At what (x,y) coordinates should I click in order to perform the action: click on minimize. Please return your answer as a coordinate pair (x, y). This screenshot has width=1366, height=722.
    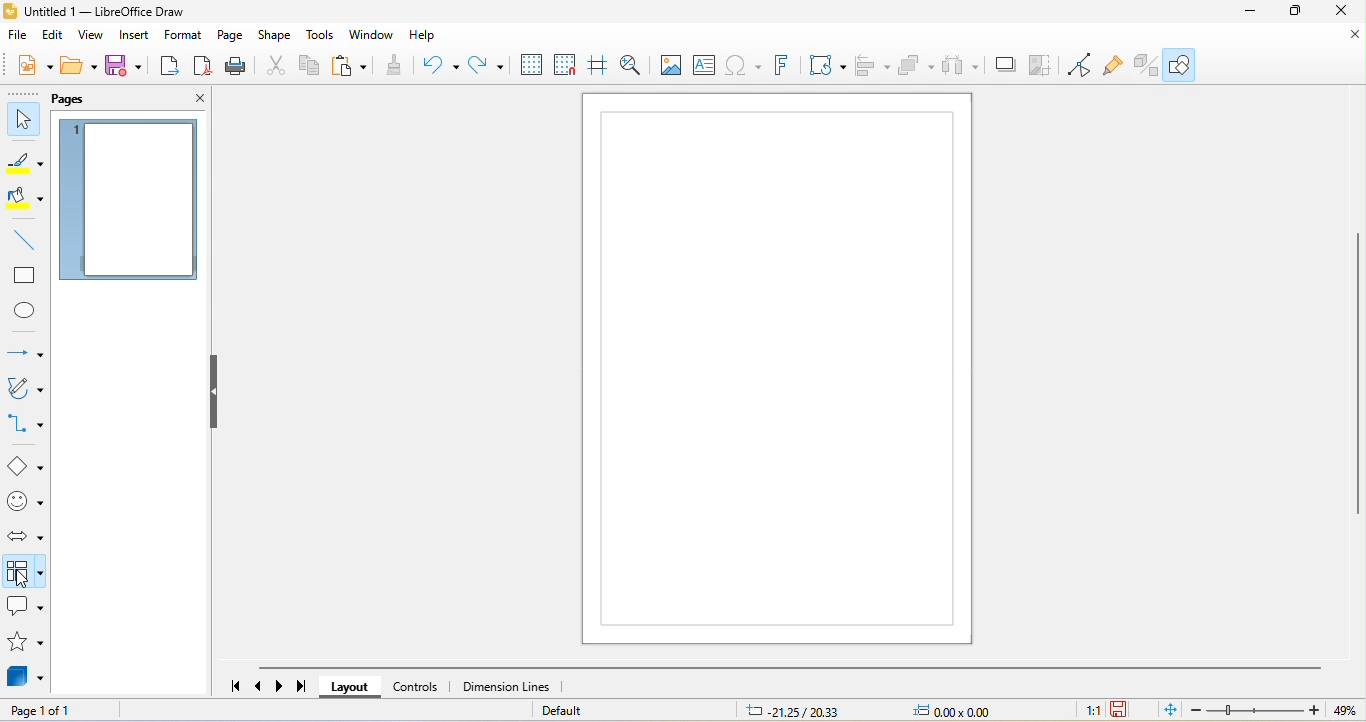
    Looking at the image, I should click on (1245, 14).